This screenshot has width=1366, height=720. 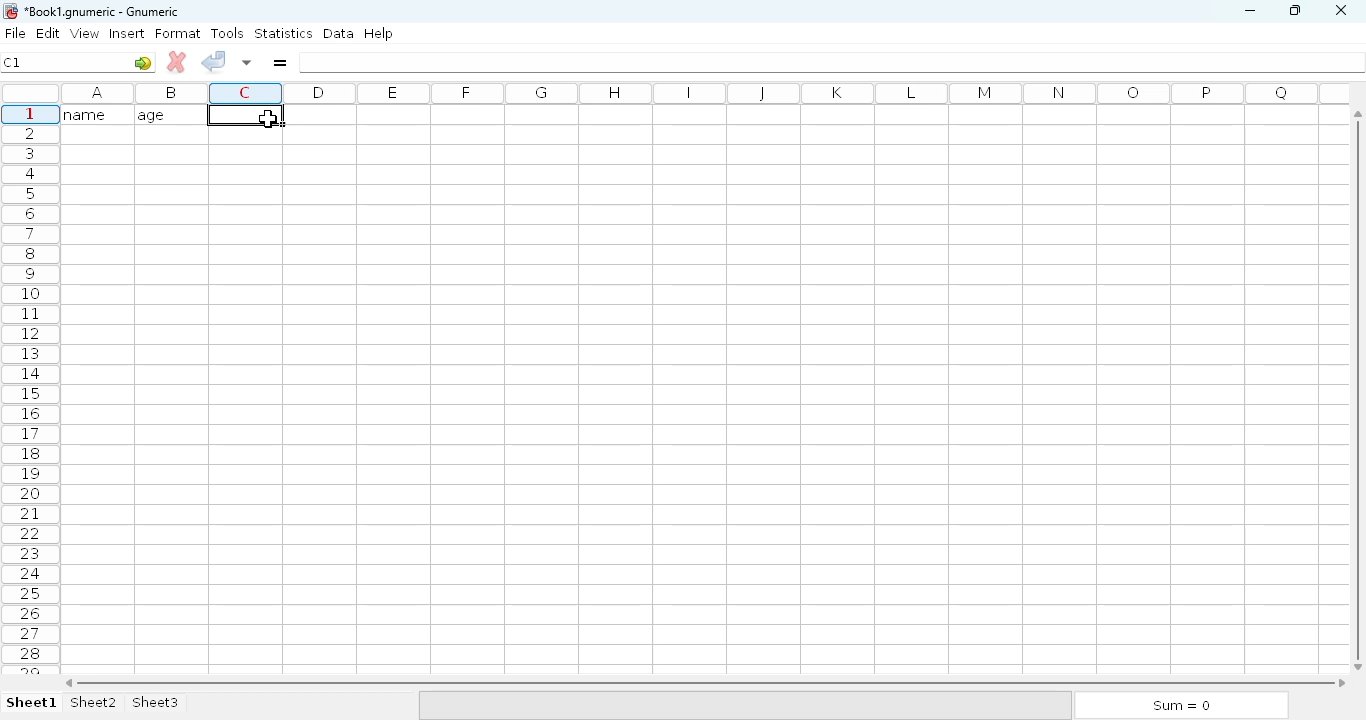 I want to click on maximize, so click(x=1294, y=9).